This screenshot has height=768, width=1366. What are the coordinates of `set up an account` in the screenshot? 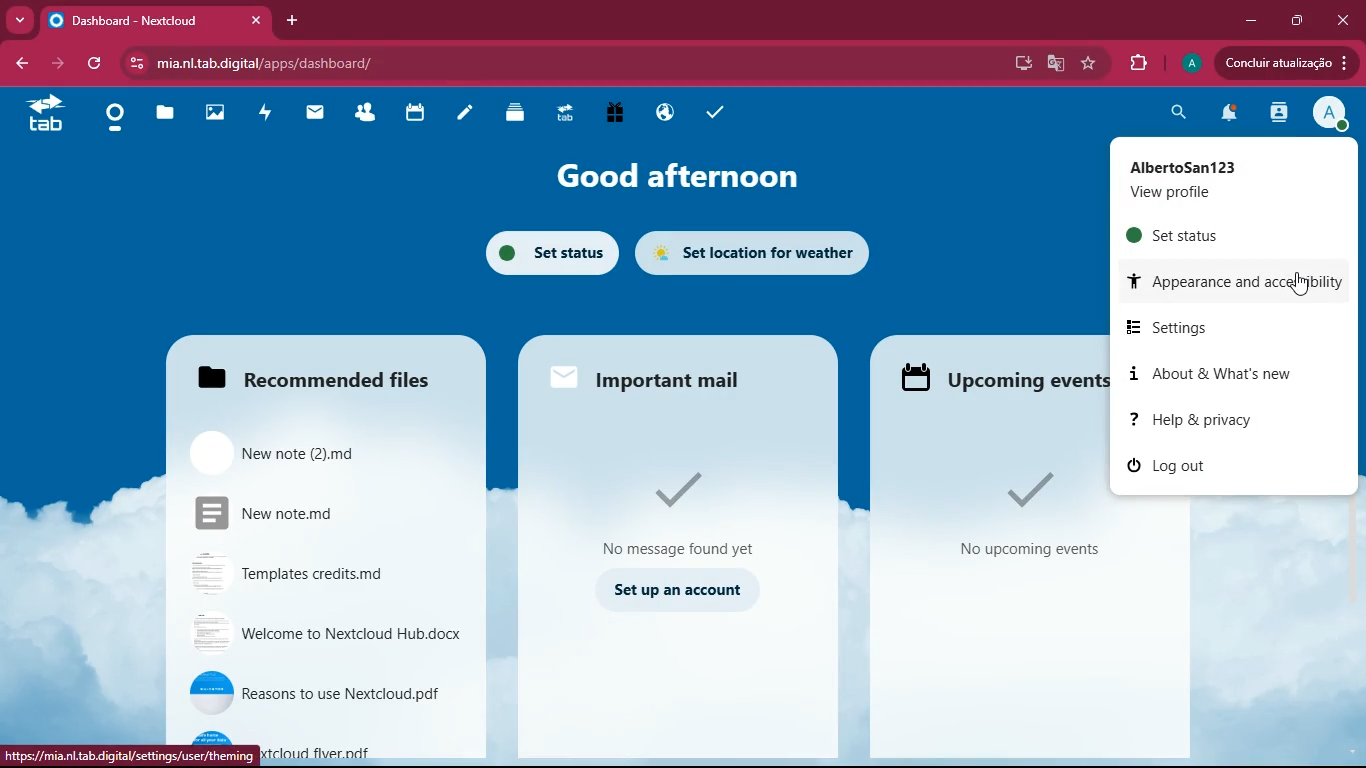 It's located at (681, 589).